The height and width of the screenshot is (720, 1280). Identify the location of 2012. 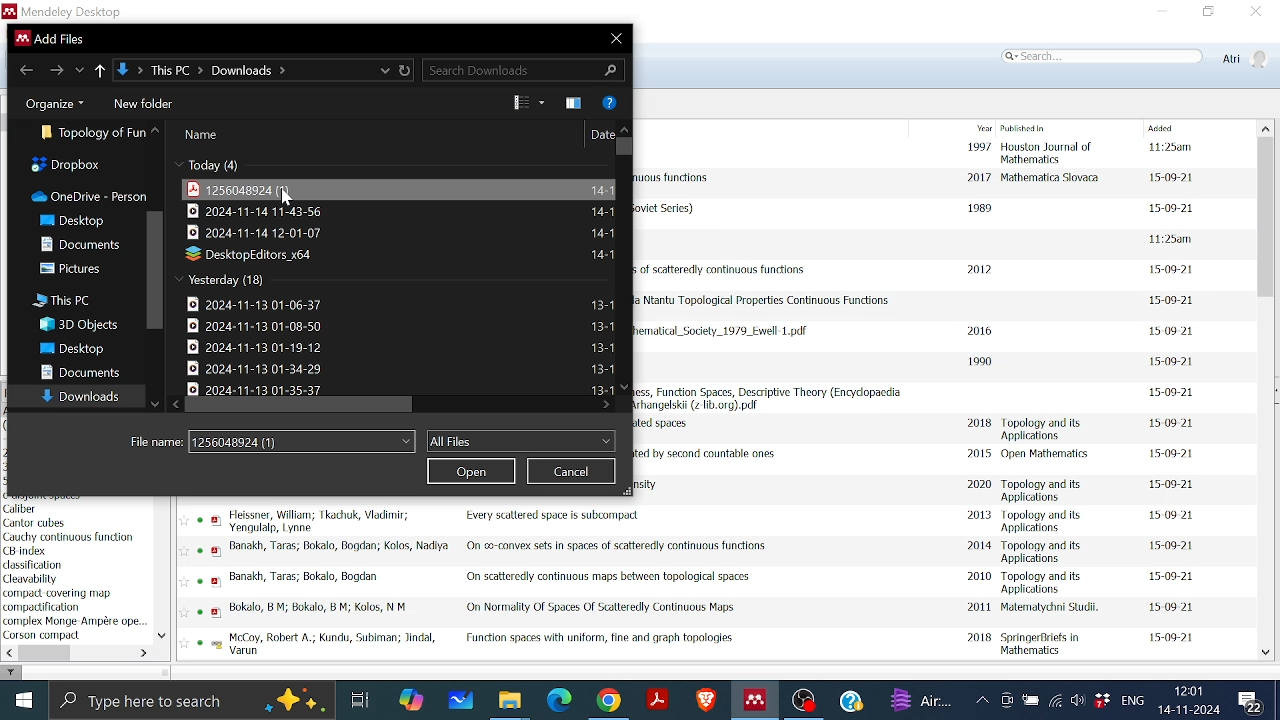
(977, 270).